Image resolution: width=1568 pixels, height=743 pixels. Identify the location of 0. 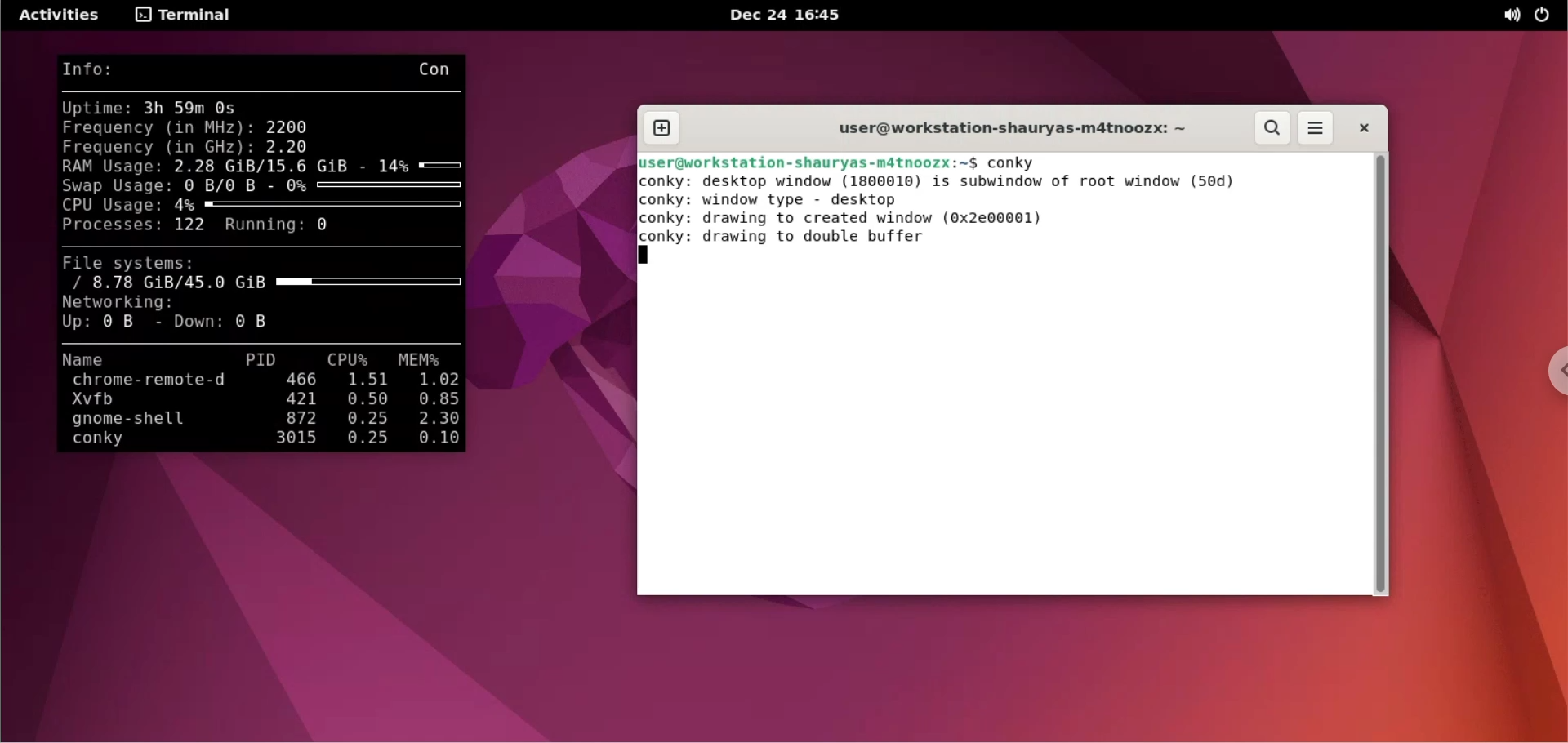
(322, 228).